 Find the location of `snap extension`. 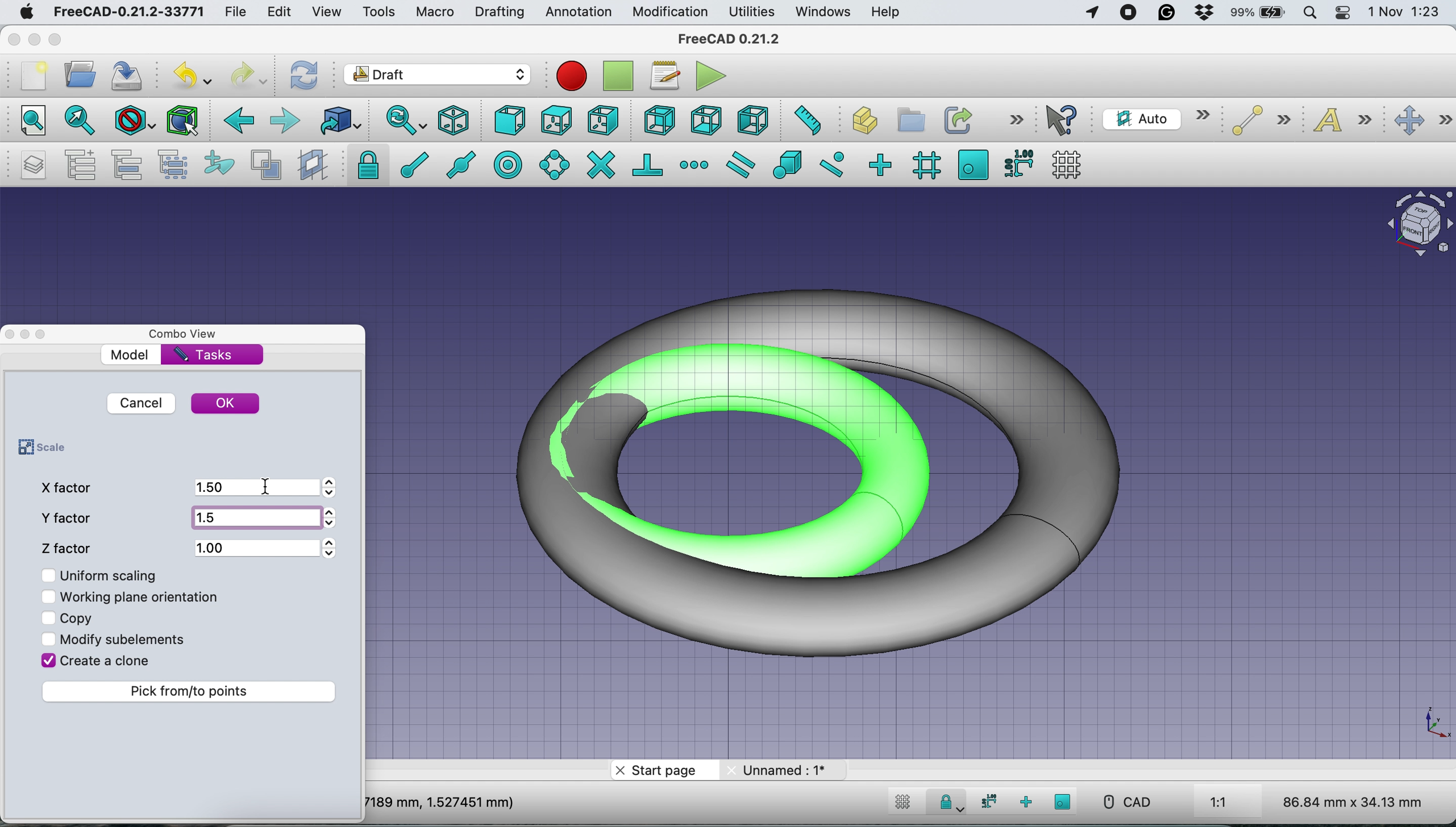

snap extension is located at coordinates (694, 164).